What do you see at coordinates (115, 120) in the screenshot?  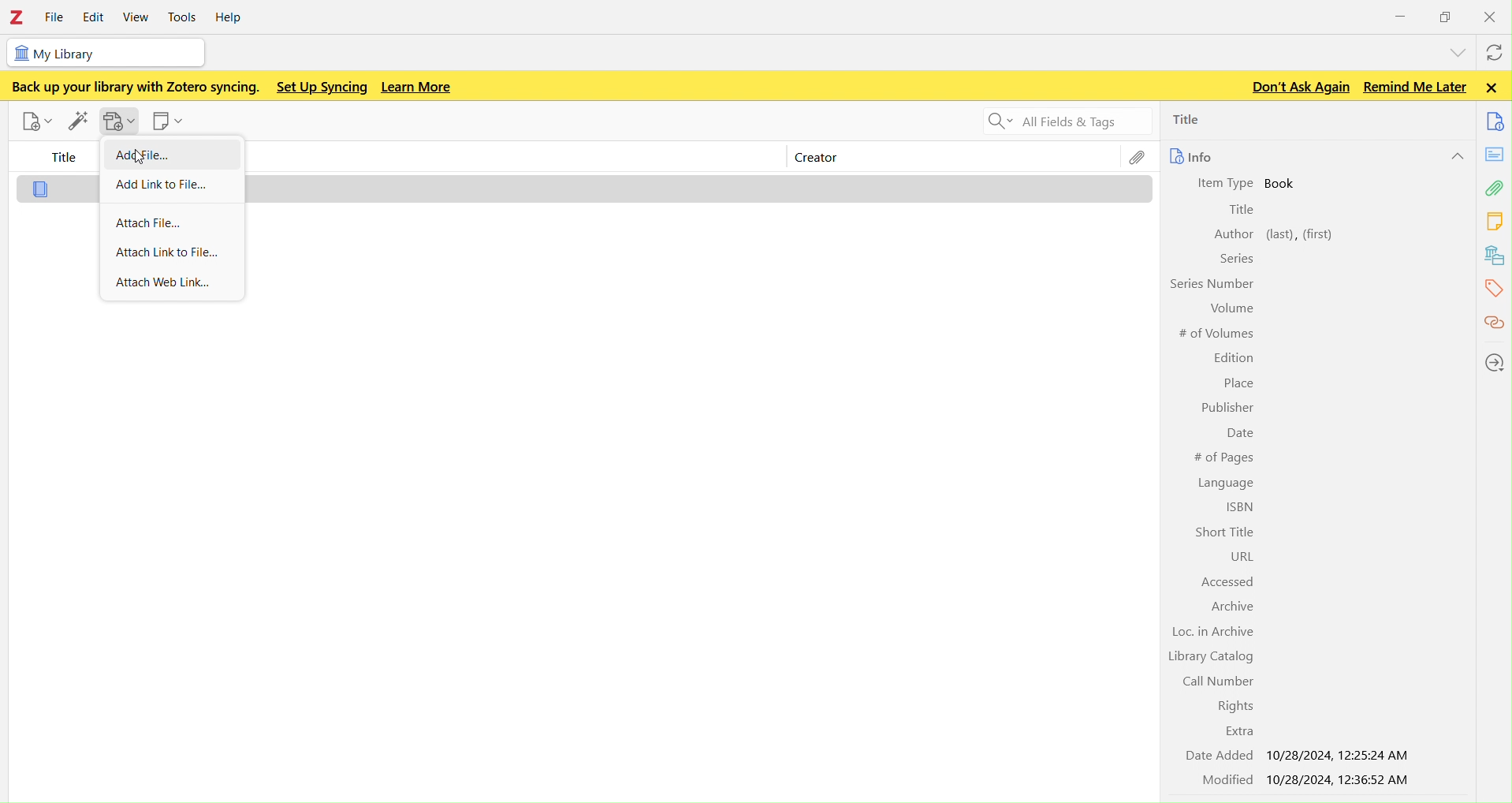 I see `add attachments` at bounding box center [115, 120].